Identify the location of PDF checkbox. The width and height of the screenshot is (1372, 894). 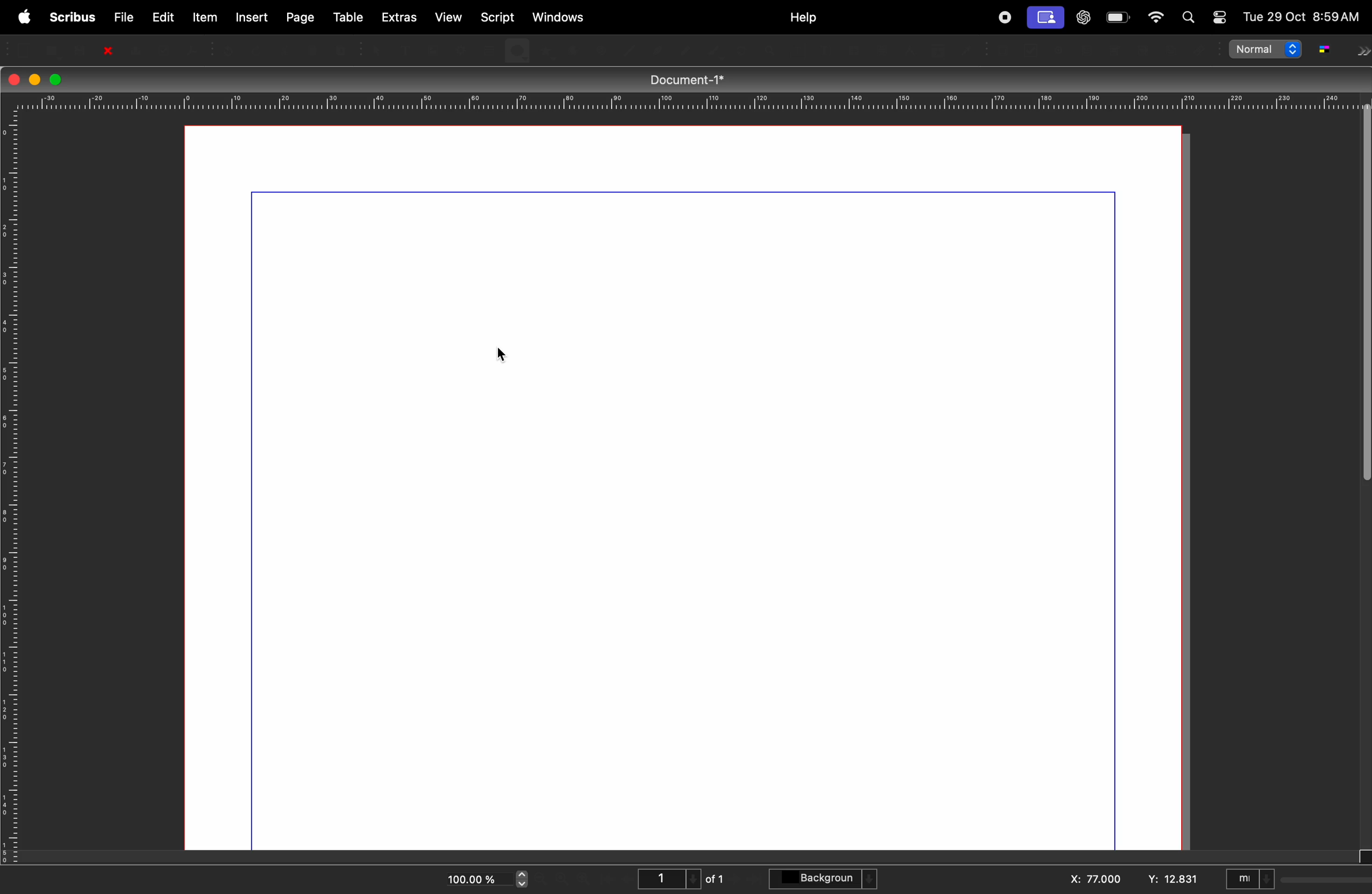
(1033, 50).